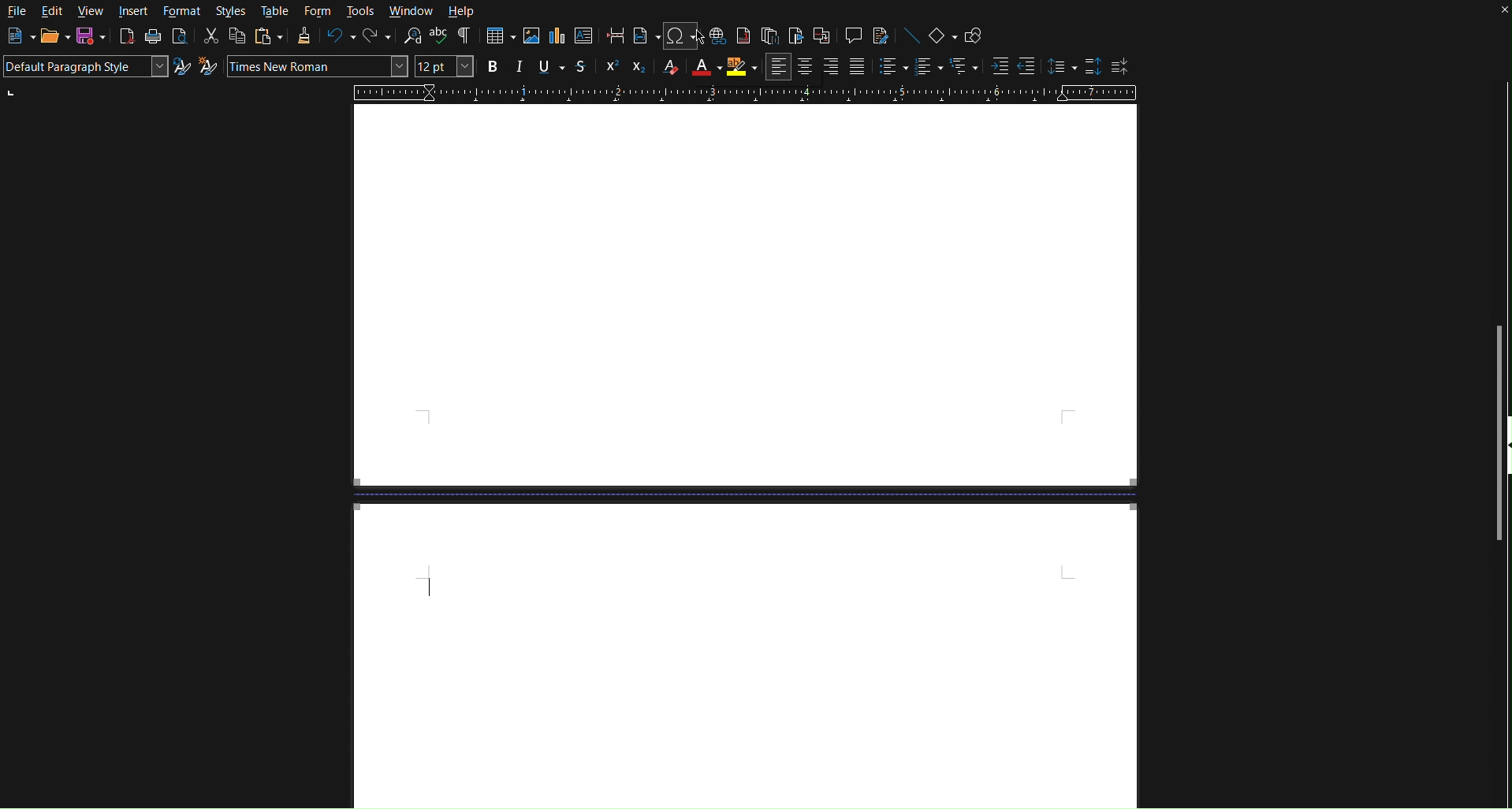  I want to click on Check spelling, so click(439, 36).